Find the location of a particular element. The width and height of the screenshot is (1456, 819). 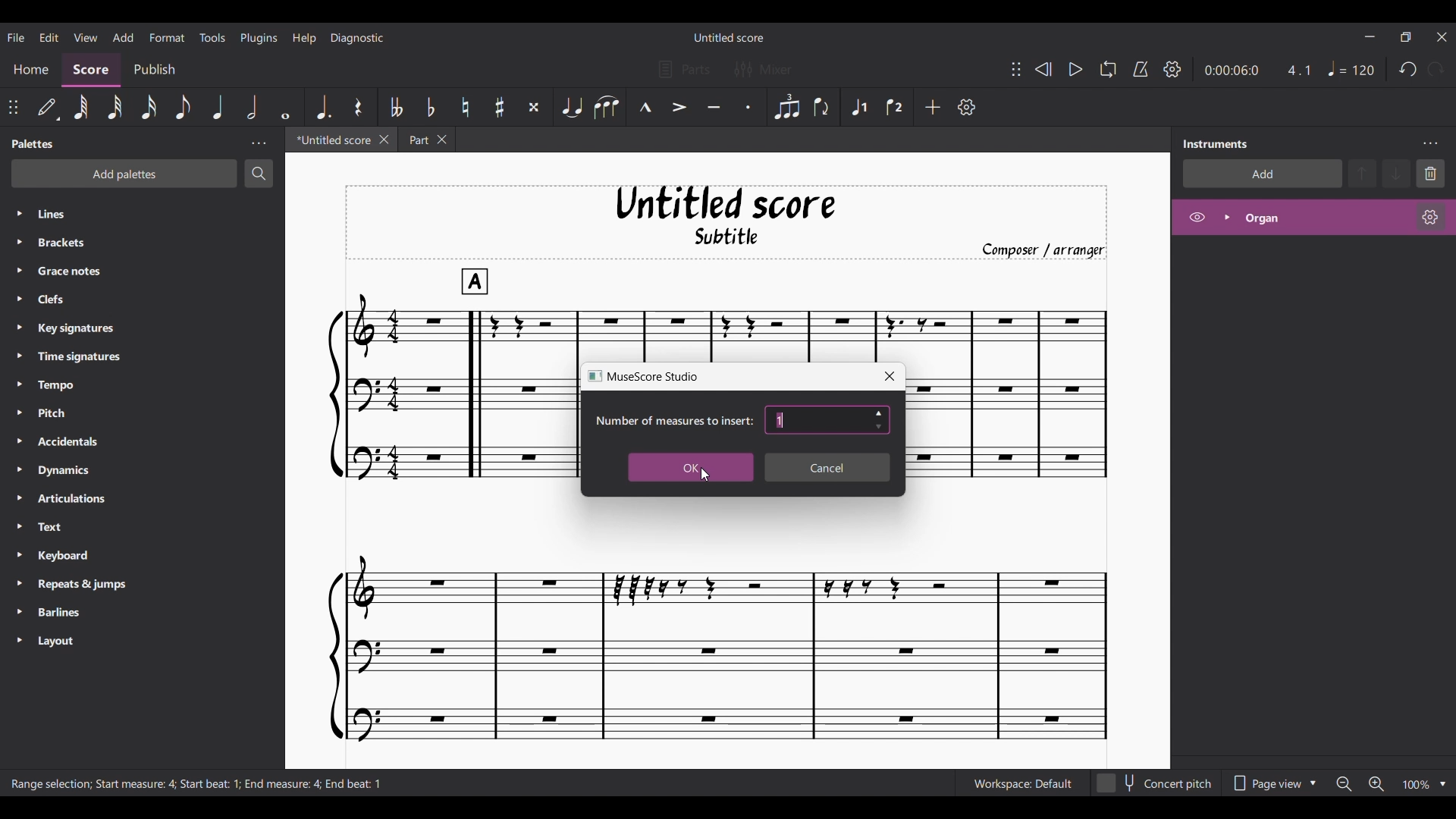

Zoom out is located at coordinates (1344, 784).